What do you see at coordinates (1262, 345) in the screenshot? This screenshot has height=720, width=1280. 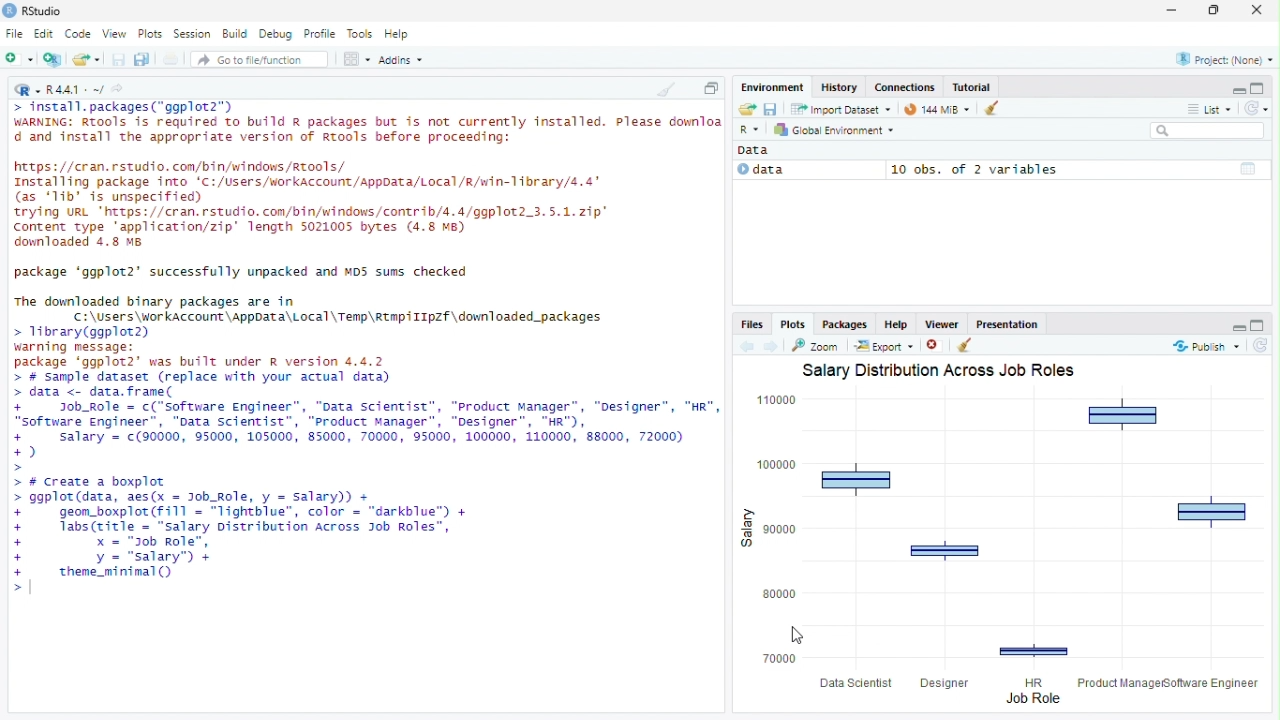 I see `refresh current plot` at bounding box center [1262, 345].